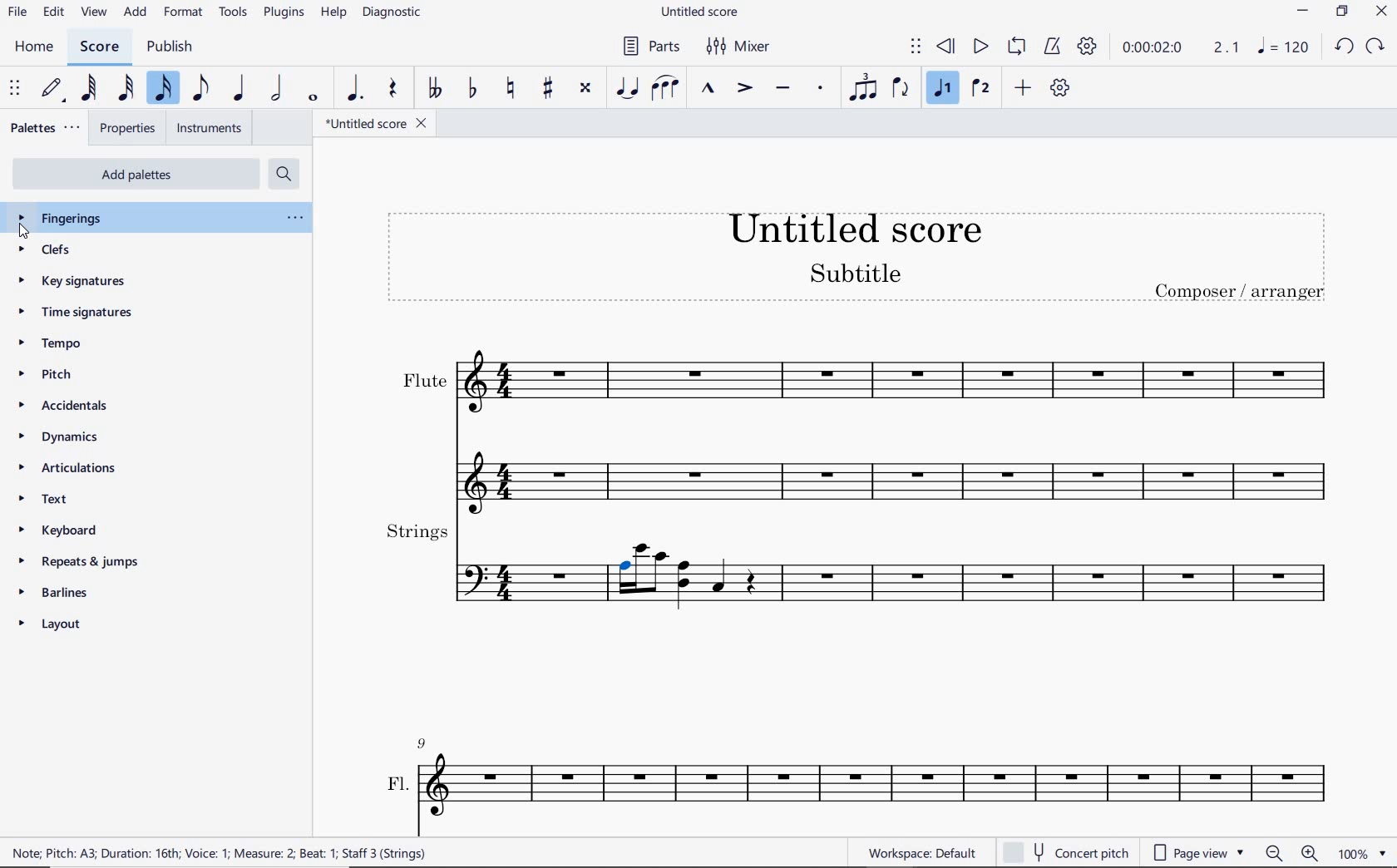 The width and height of the screenshot is (1397, 868). Describe the element at coordinates (14, 86) in the screenshot. I see `select to move` at that location.